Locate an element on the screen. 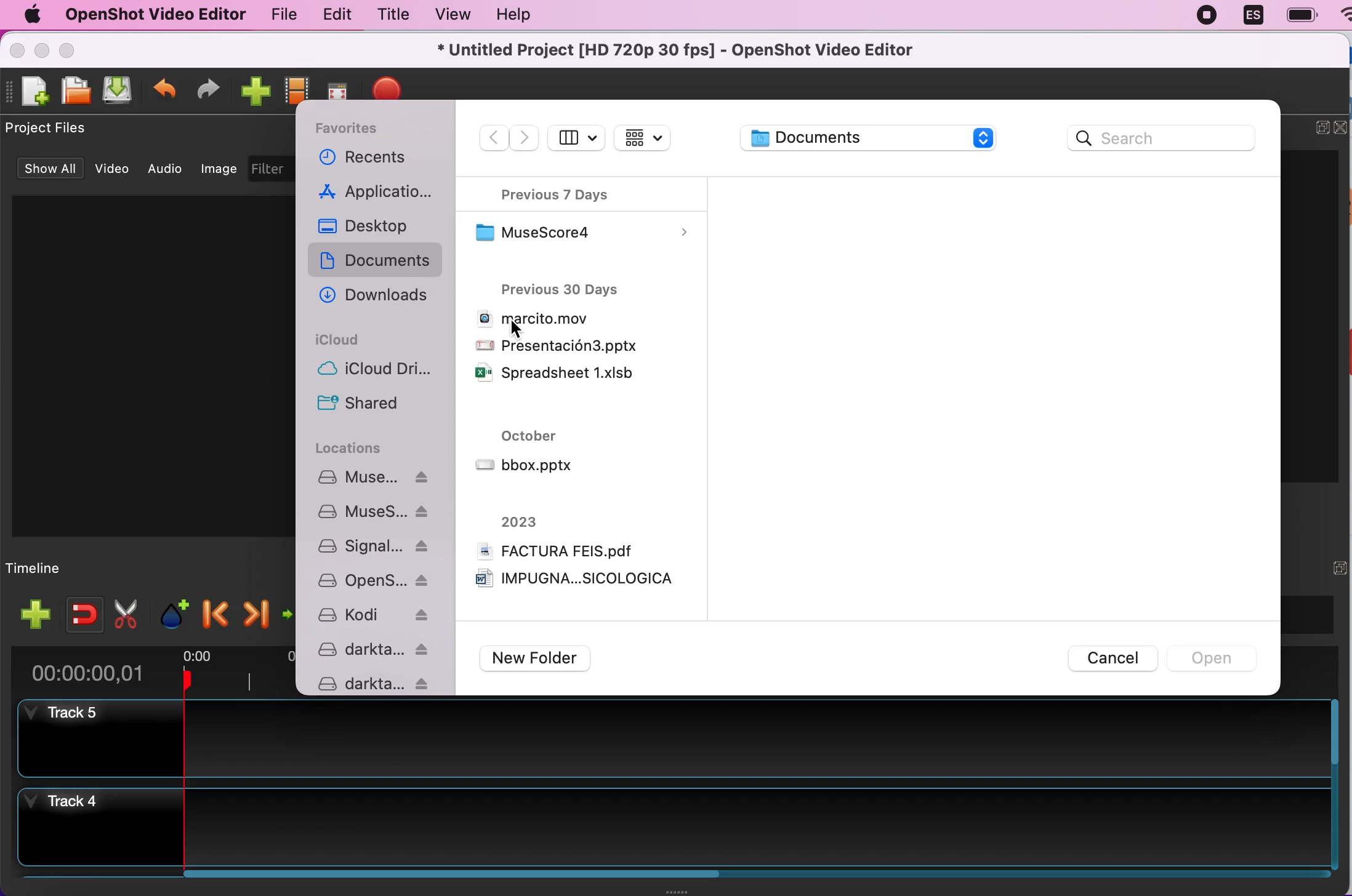 The height and width of the screenshot is (896, 1352). video is located at coordinates (111, 169).